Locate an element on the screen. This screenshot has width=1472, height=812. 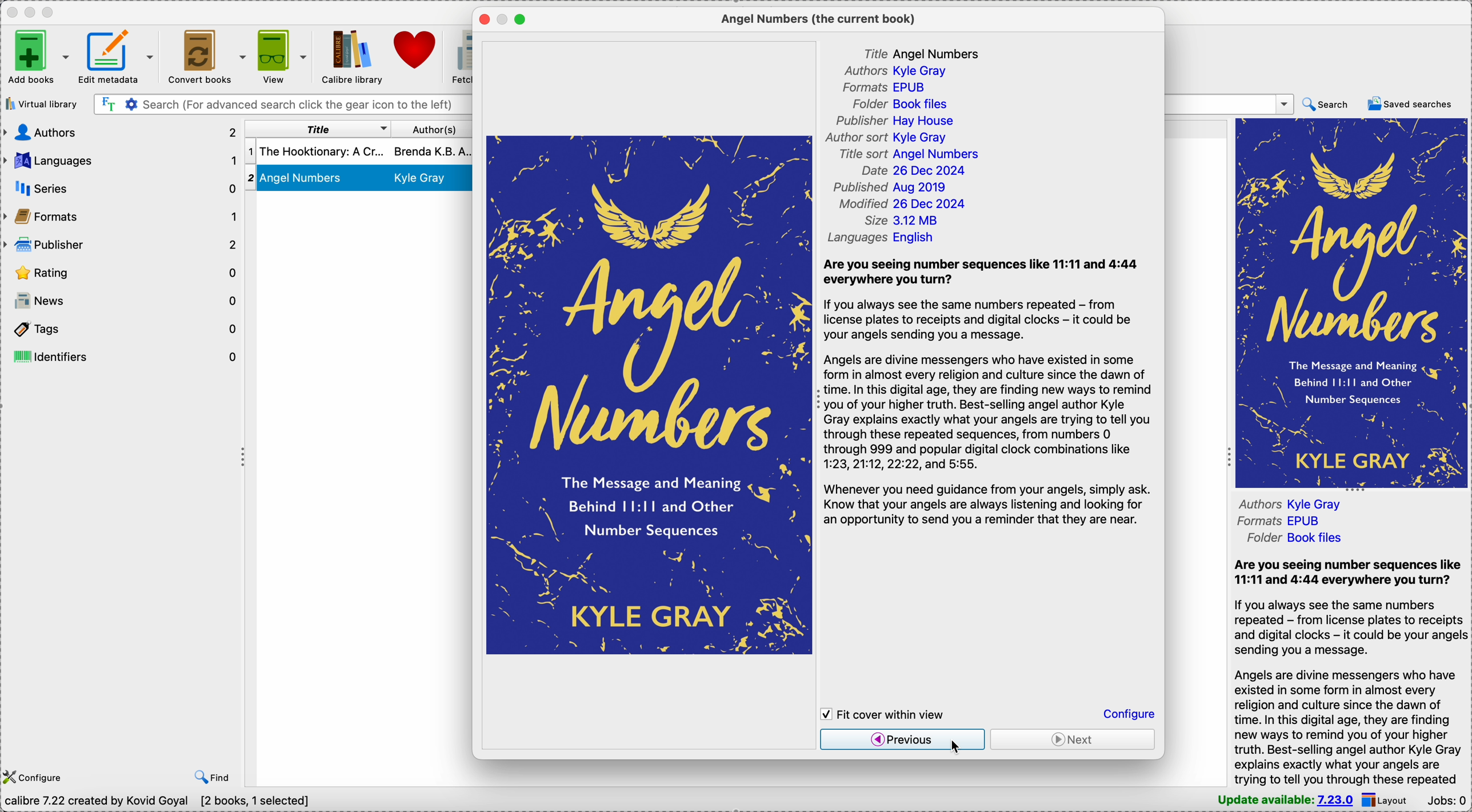
layout is located at coordinates (1389, 801).